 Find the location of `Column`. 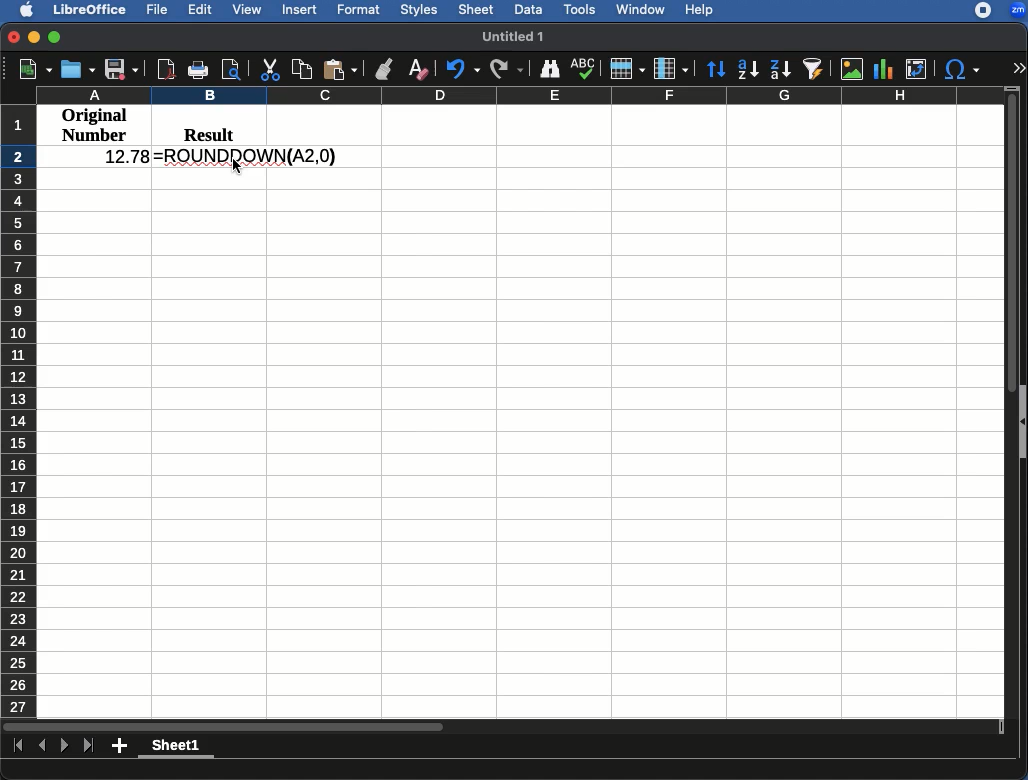

Column is located at coordinates (671, 69).